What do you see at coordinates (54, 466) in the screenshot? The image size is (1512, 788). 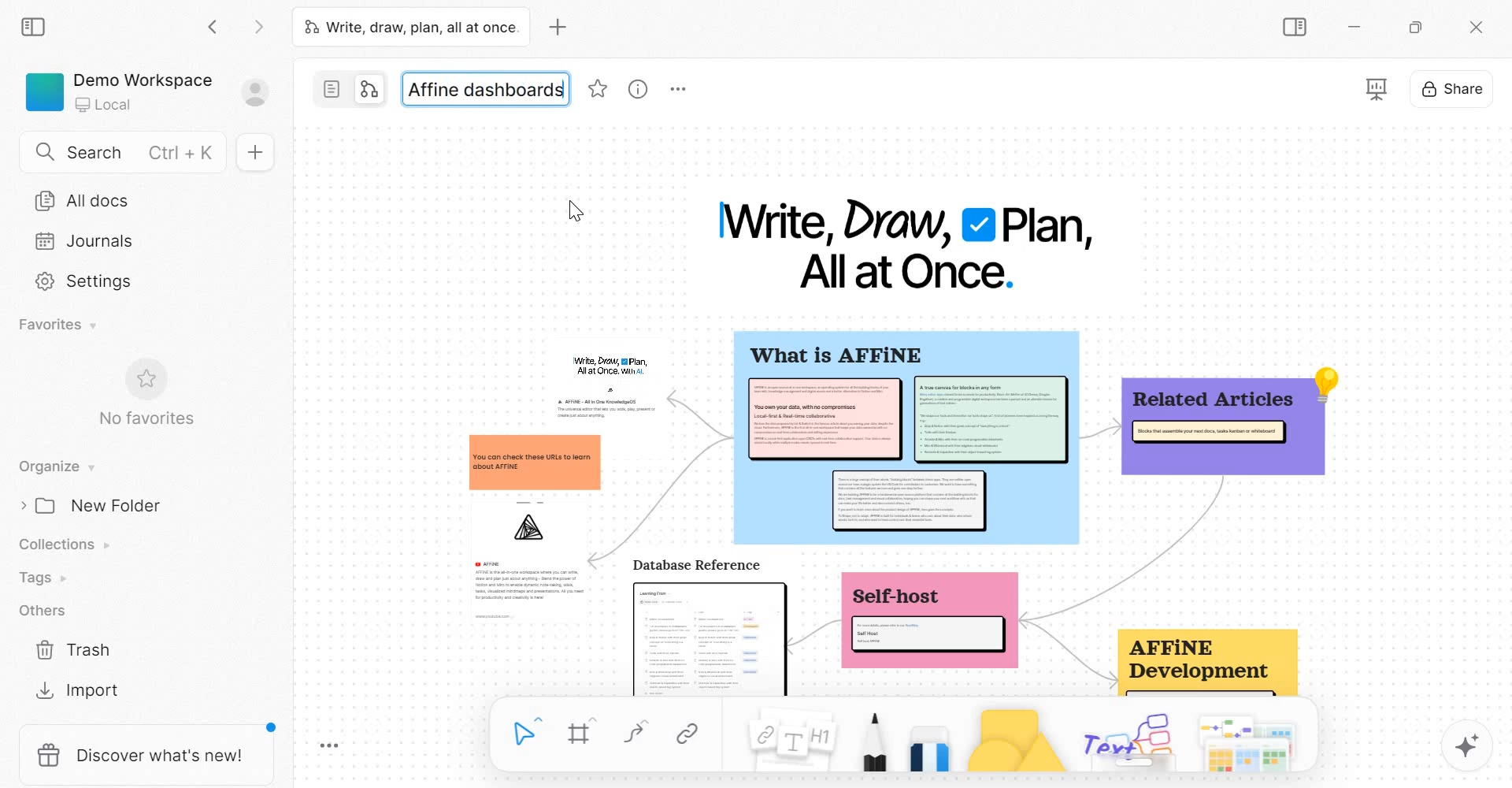 I see `Organise` at bounding box center [54, 466].